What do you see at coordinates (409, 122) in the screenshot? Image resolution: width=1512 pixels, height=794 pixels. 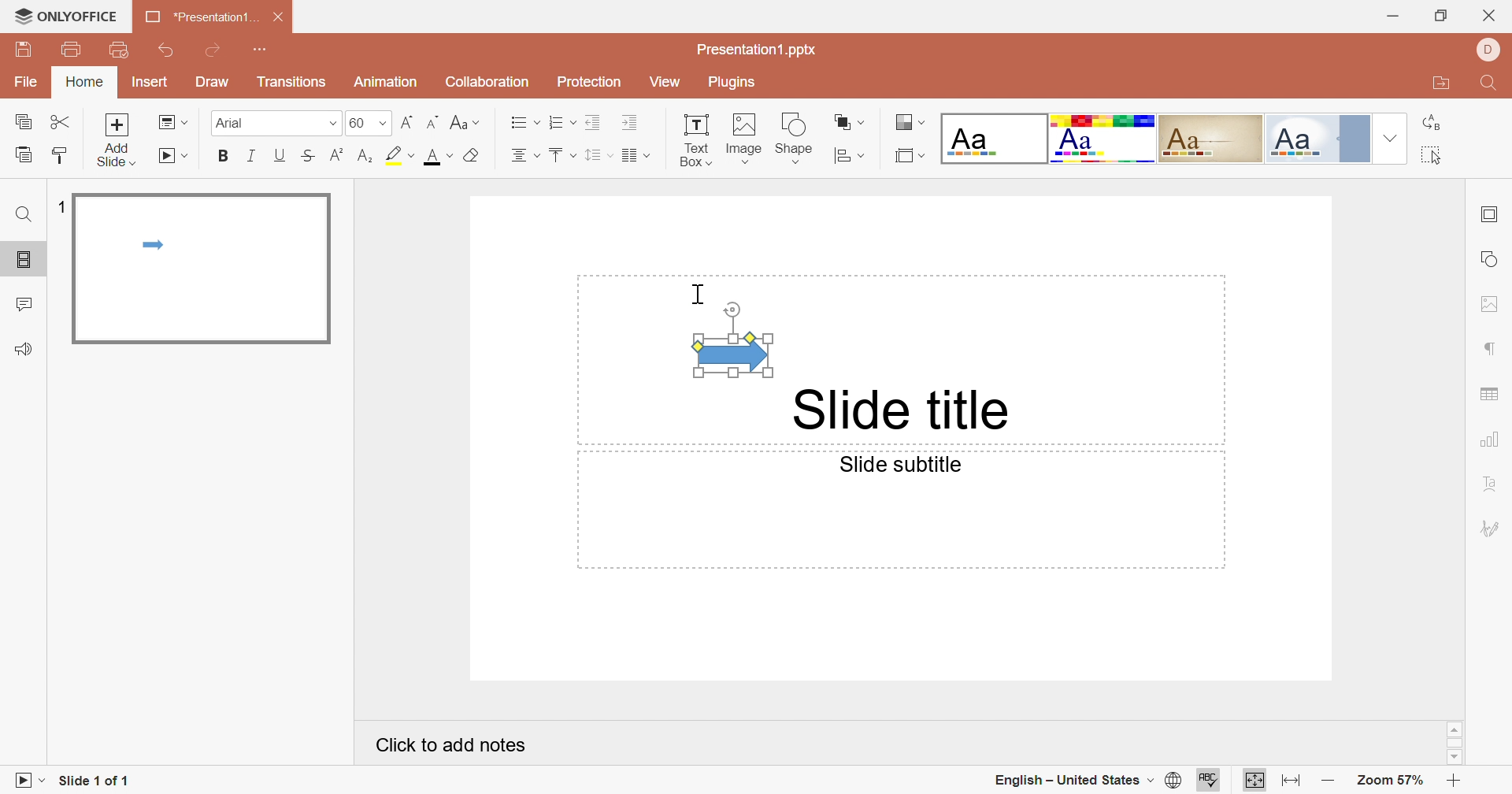 I see `Increment font size` at bounding box center [409, 122].